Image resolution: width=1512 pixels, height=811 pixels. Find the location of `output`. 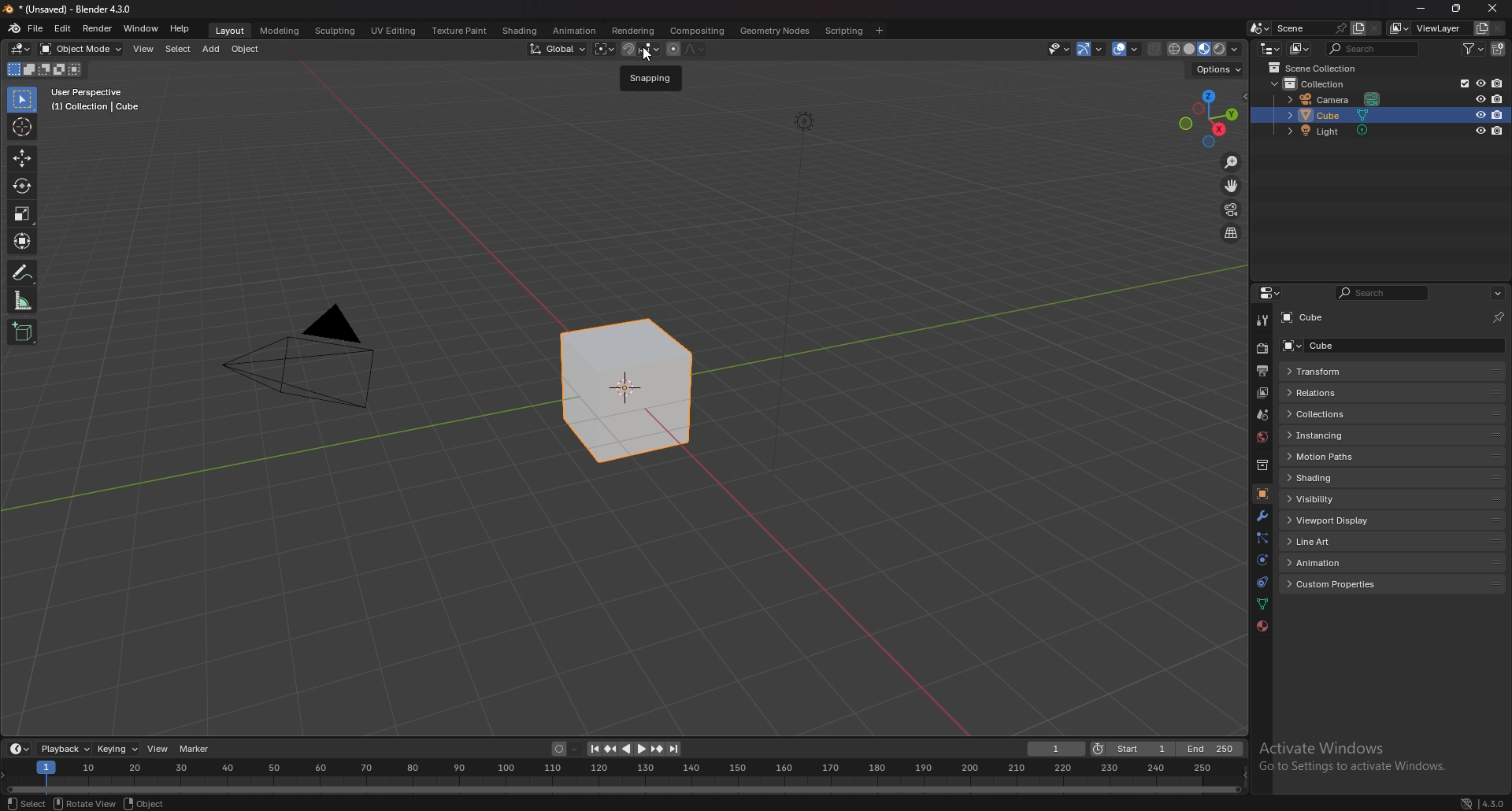

output is located at coordinates (1262, 371).